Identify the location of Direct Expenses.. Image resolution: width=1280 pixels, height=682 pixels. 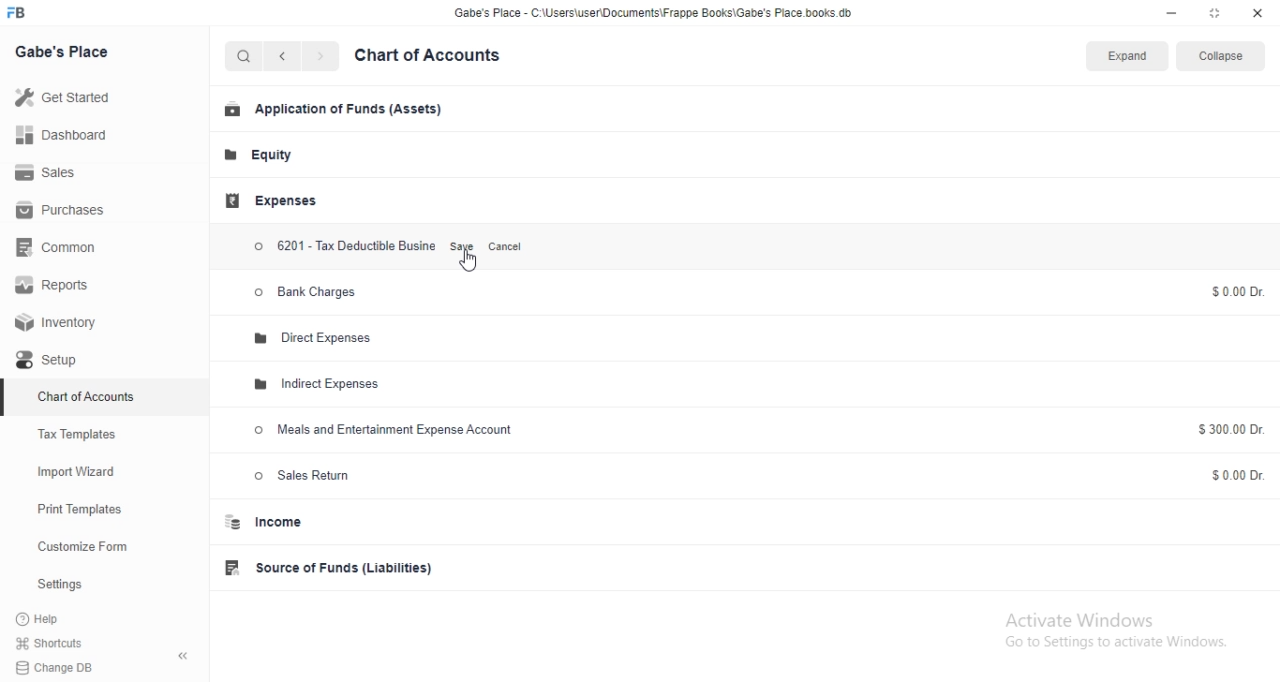
(326, 338).